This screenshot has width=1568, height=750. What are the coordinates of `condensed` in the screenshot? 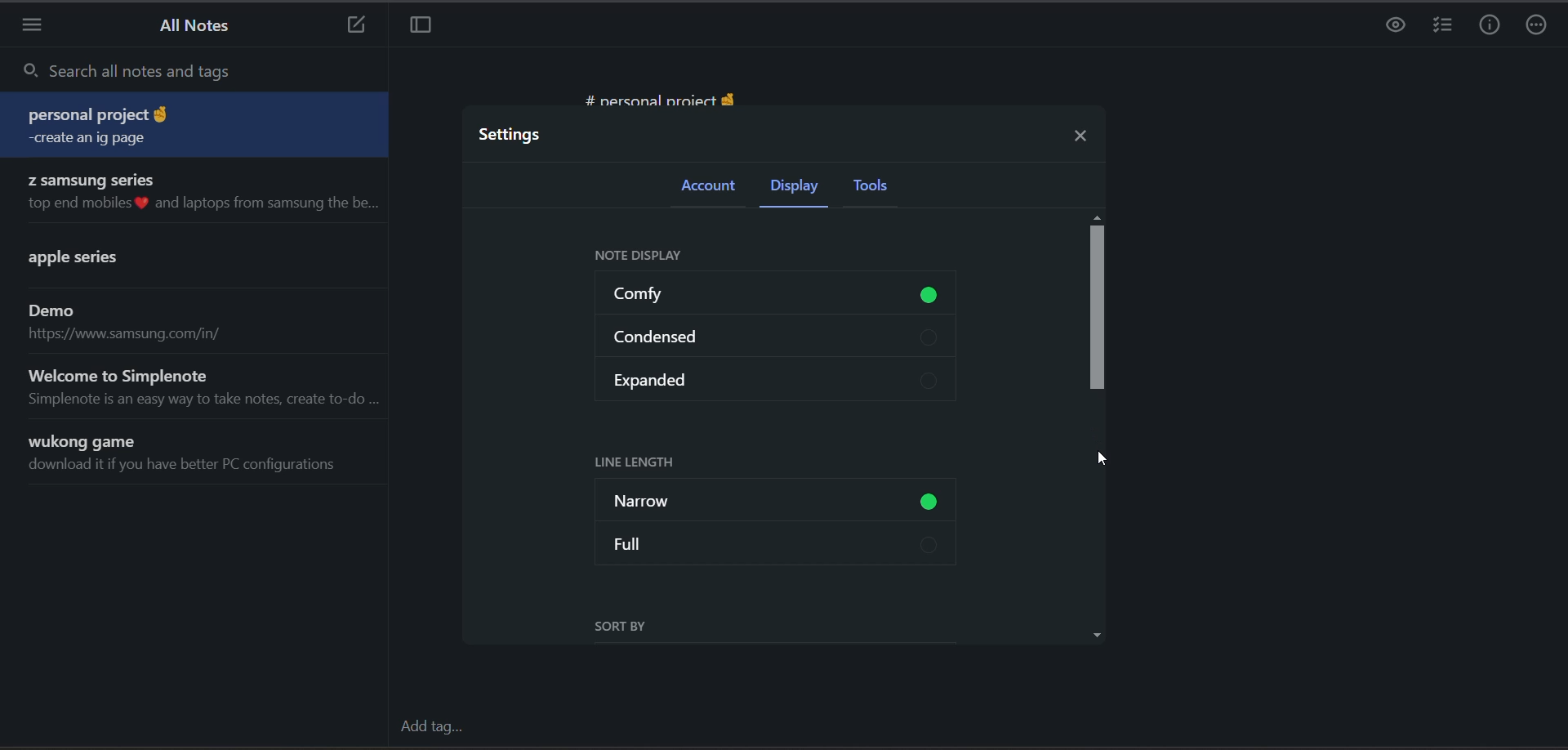 It's located at (775, 335).